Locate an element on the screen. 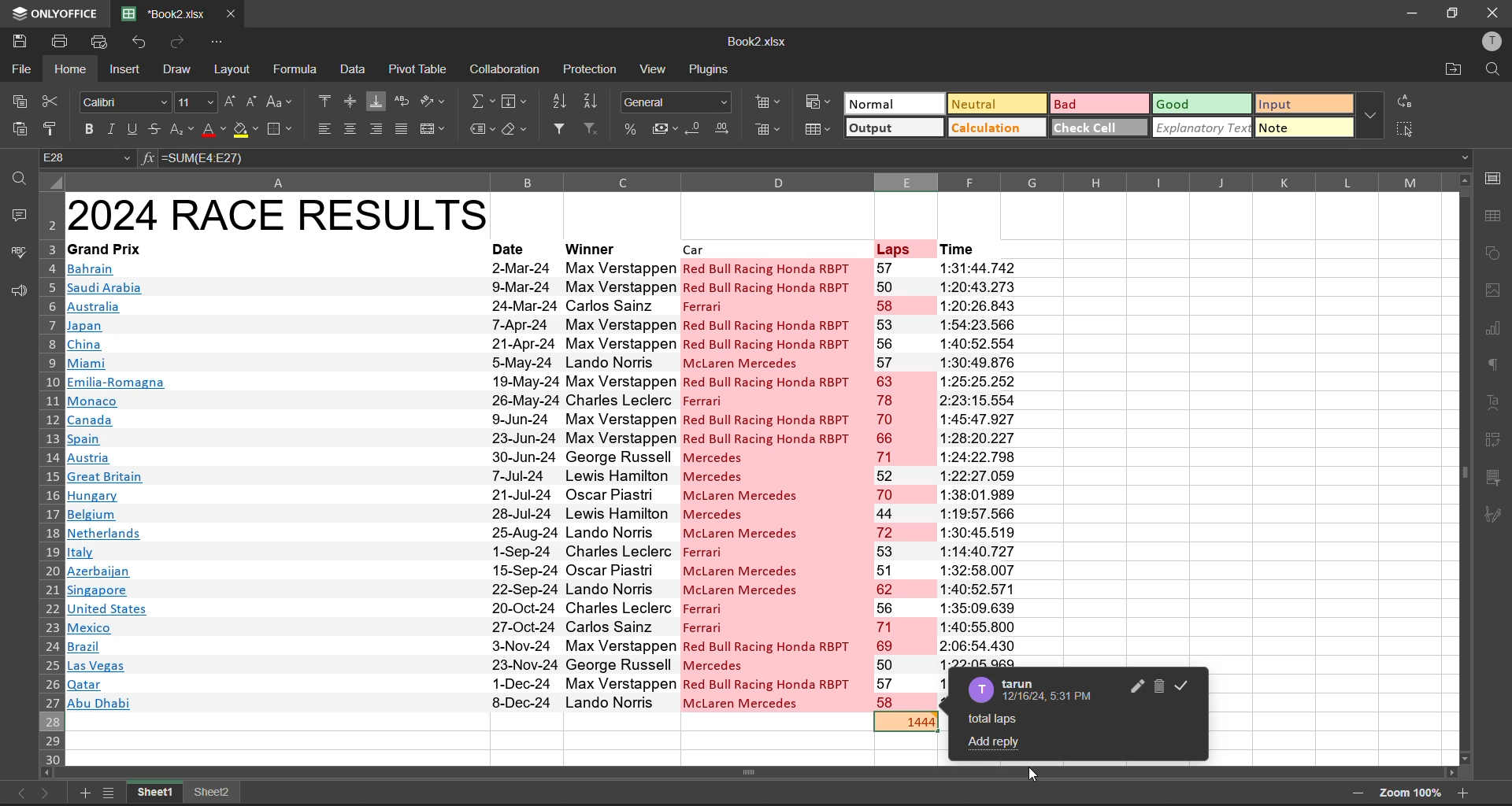 The height and width of the screenshot is (806, 1512). Country names is located at coordinates (118, 486).